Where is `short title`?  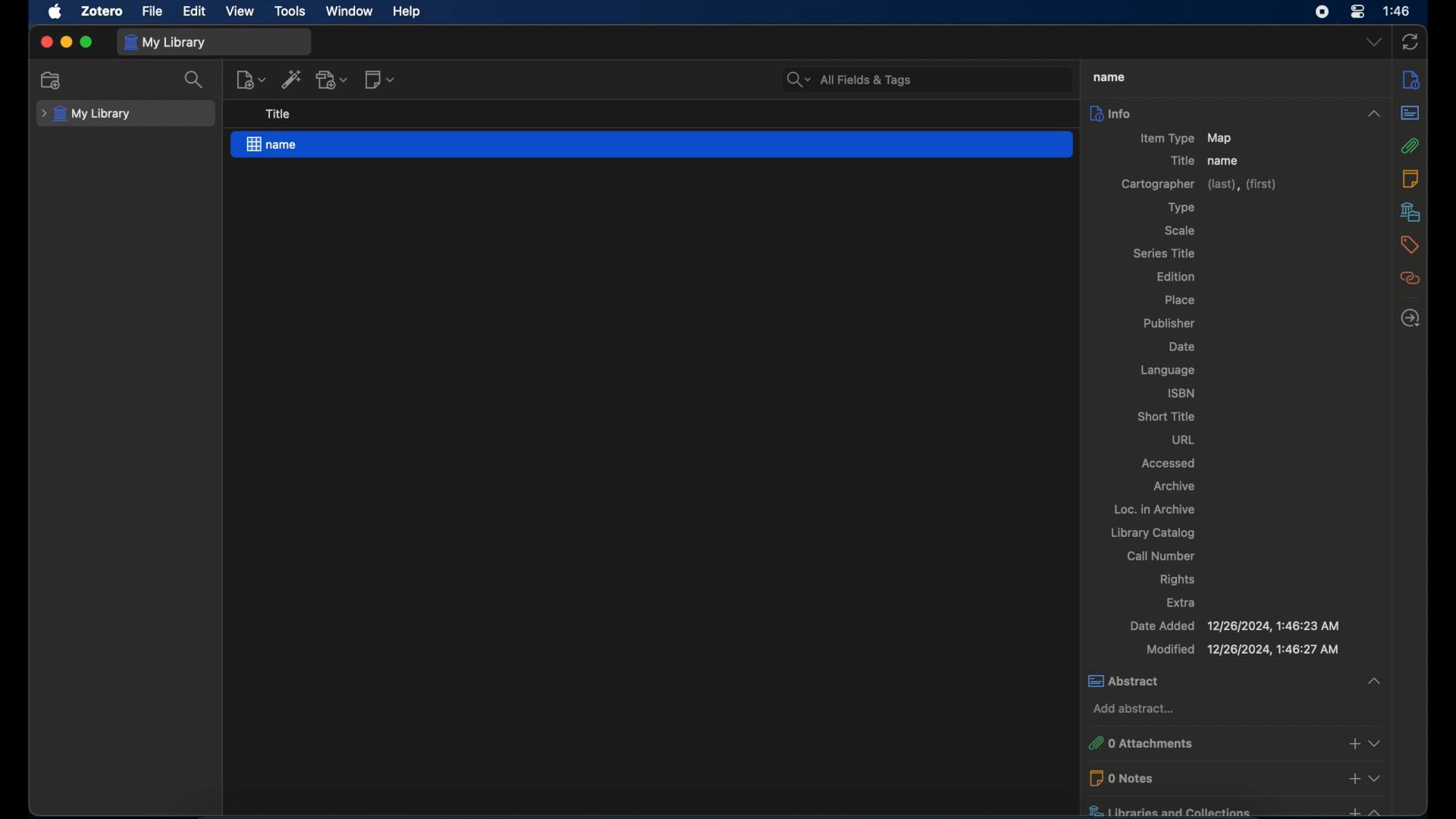
short title is located at coordinates (1169, 417).